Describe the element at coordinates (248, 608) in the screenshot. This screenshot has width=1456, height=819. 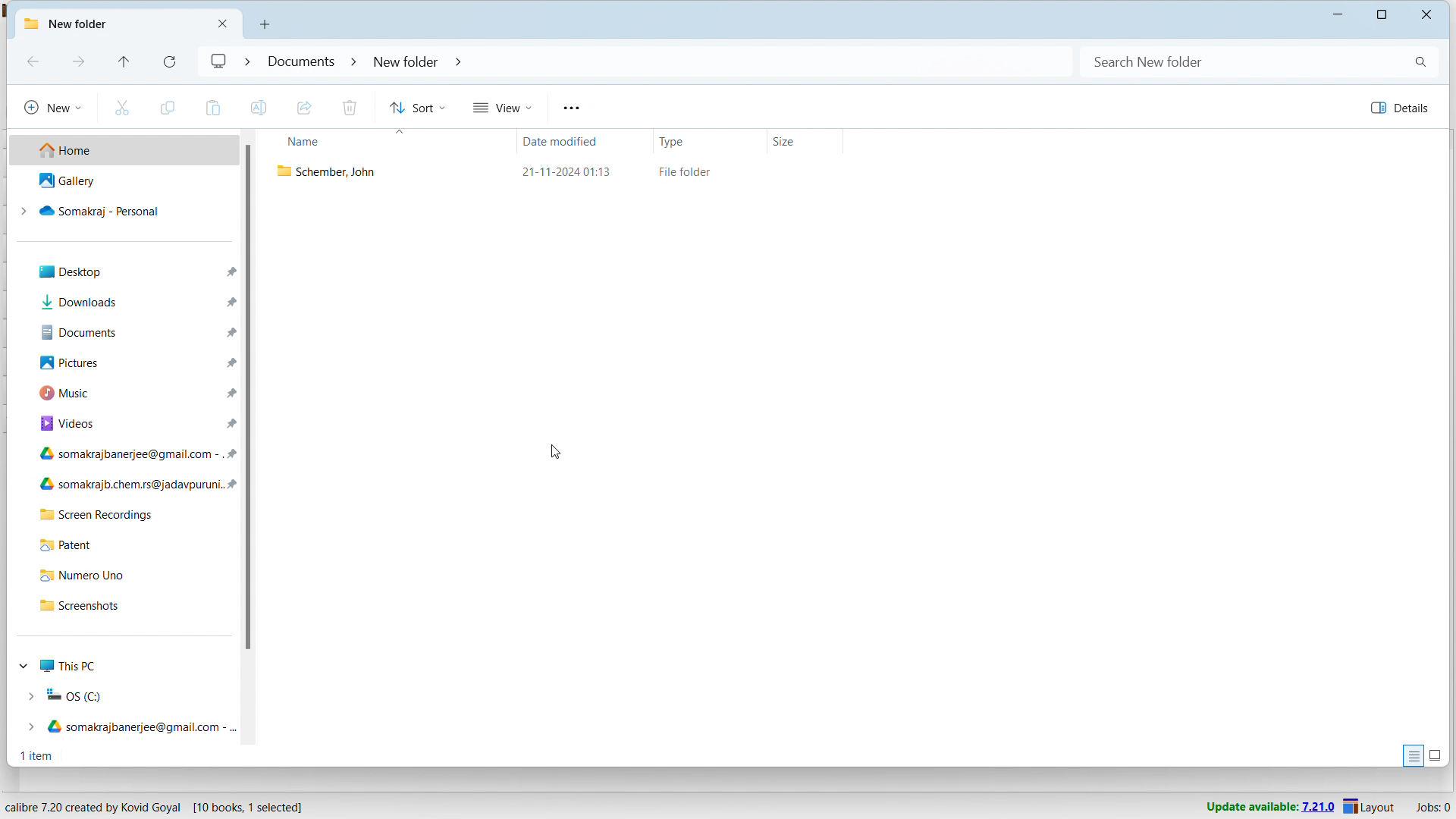
I see `vertical scrollbar` at that location.